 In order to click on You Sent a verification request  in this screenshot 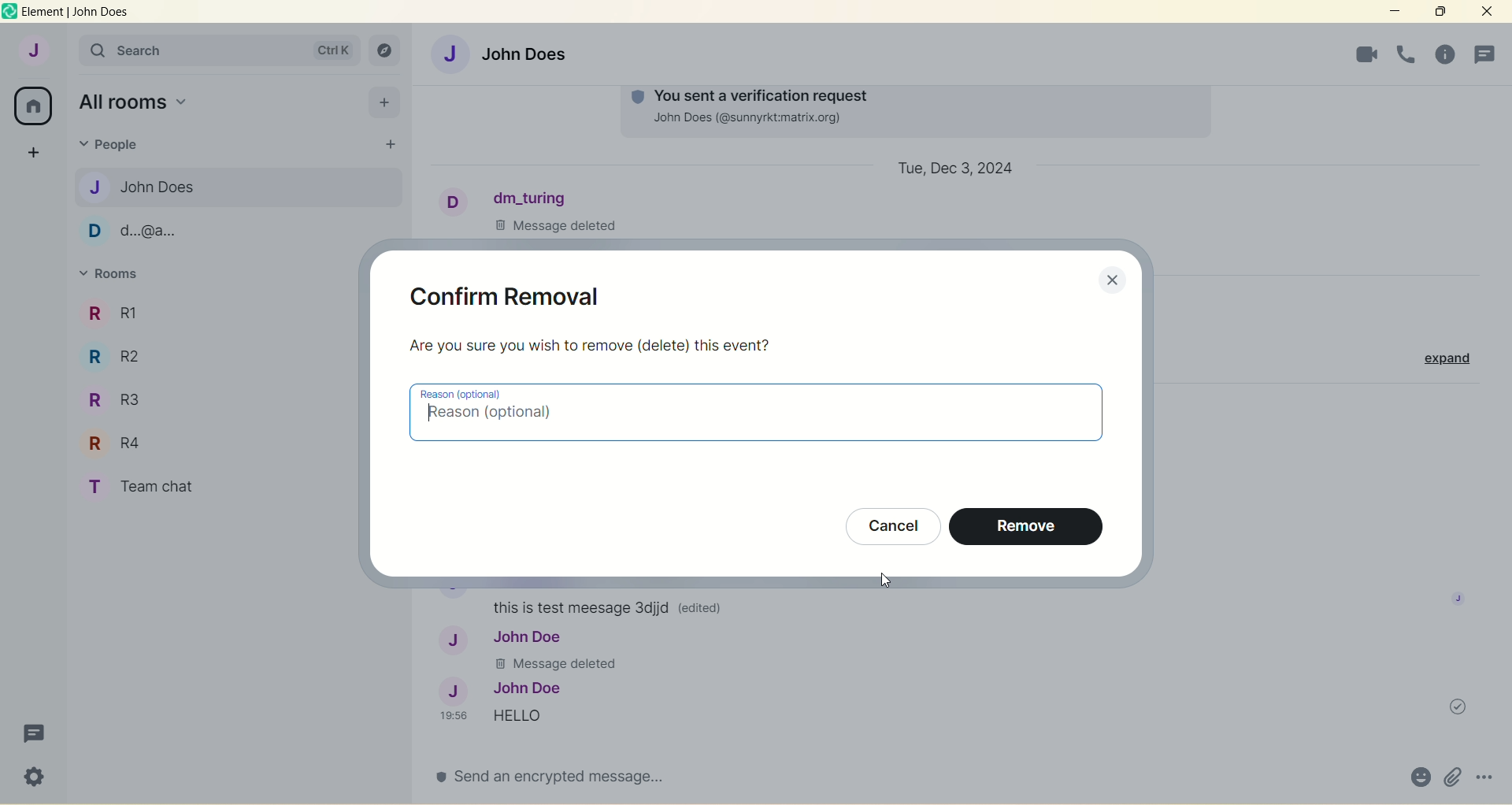, I will do `click(749, 93)`.